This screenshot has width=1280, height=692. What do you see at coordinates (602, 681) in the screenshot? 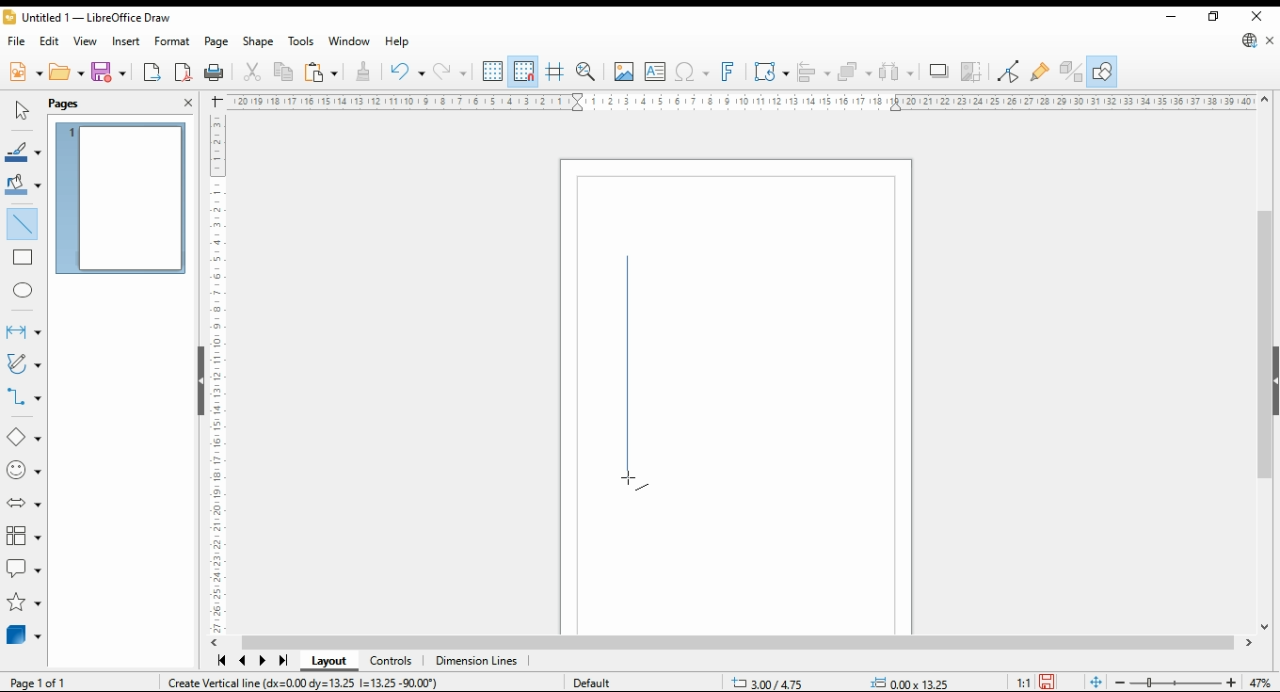
I see `default` at bounding box center [602, 681].